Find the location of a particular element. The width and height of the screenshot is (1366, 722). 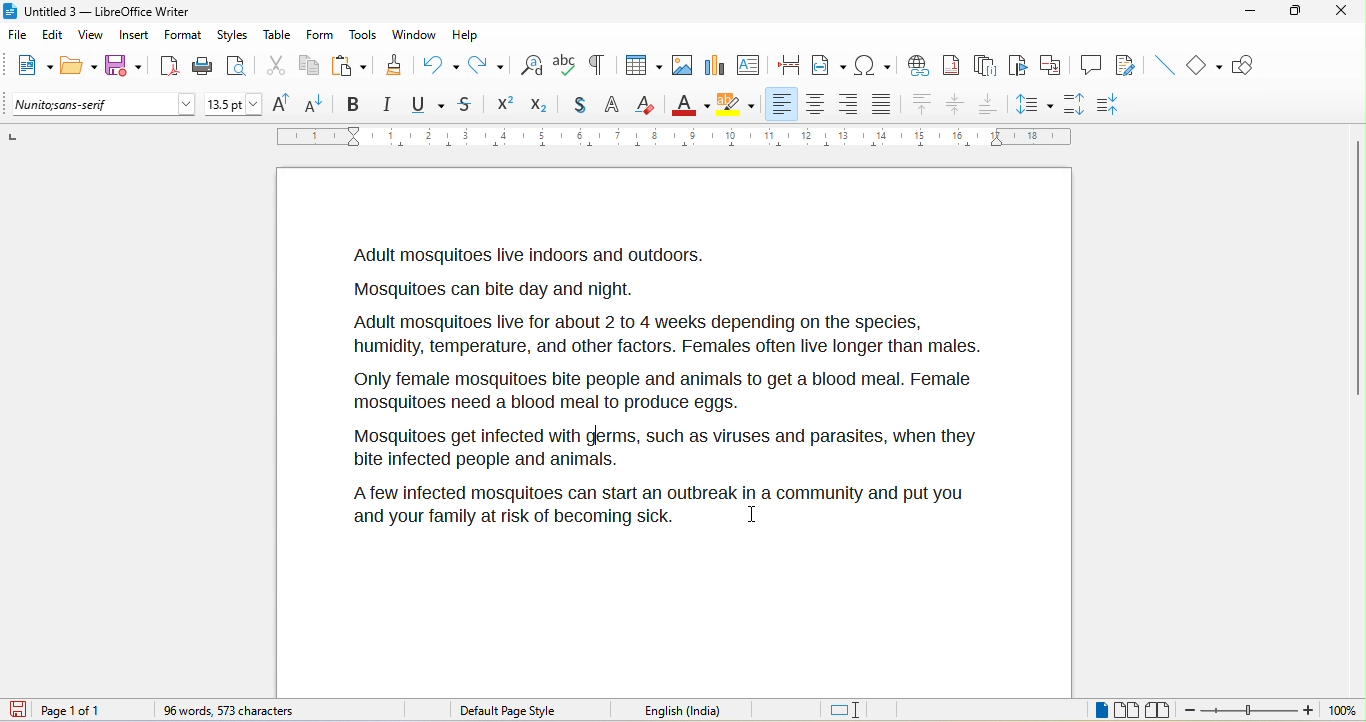

maximize is located at coordinates (1298, 15).